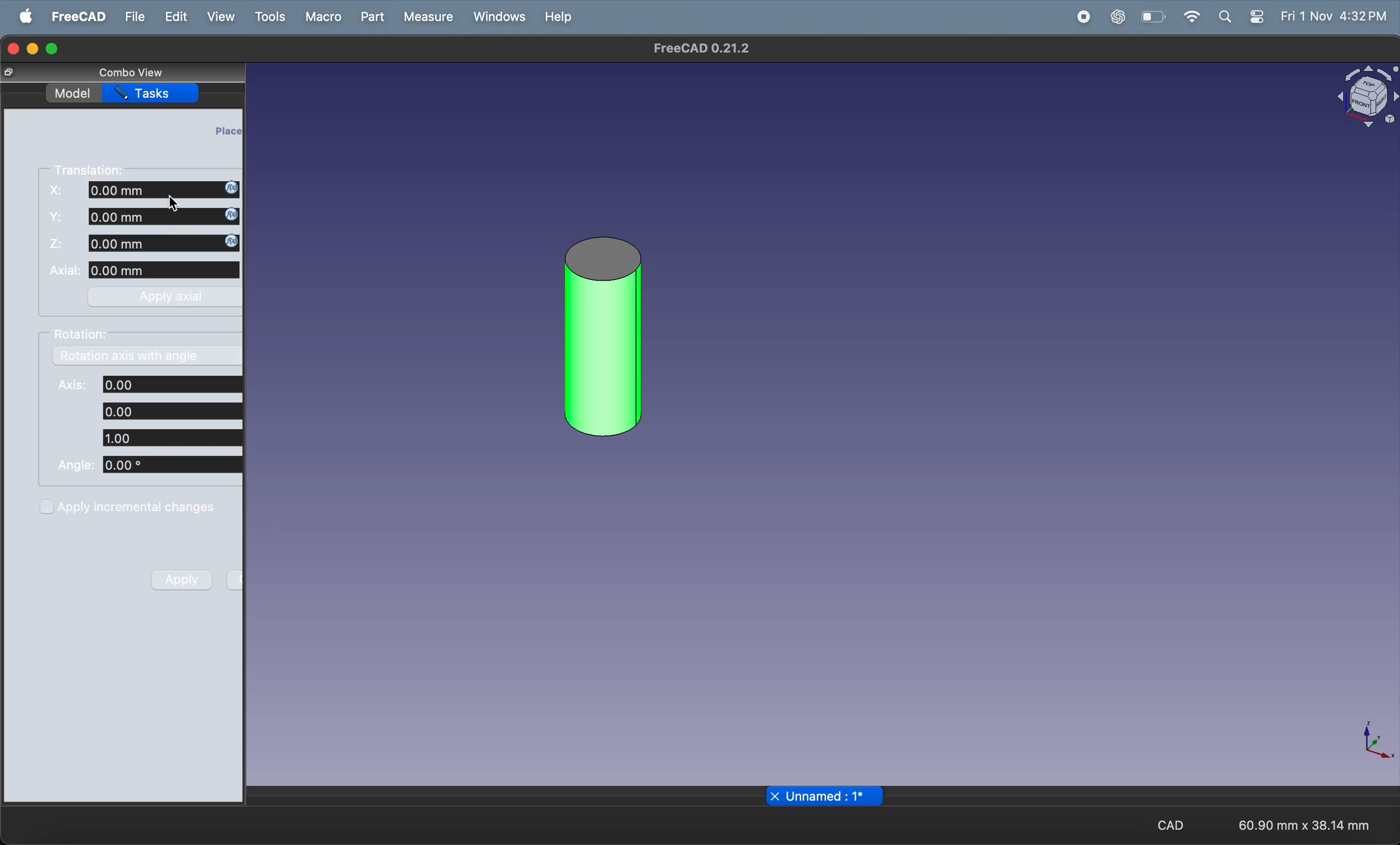 Image resolution: width=1400 pixels, height=845 pixels. I want to click on checkbox, so click(47, 508).